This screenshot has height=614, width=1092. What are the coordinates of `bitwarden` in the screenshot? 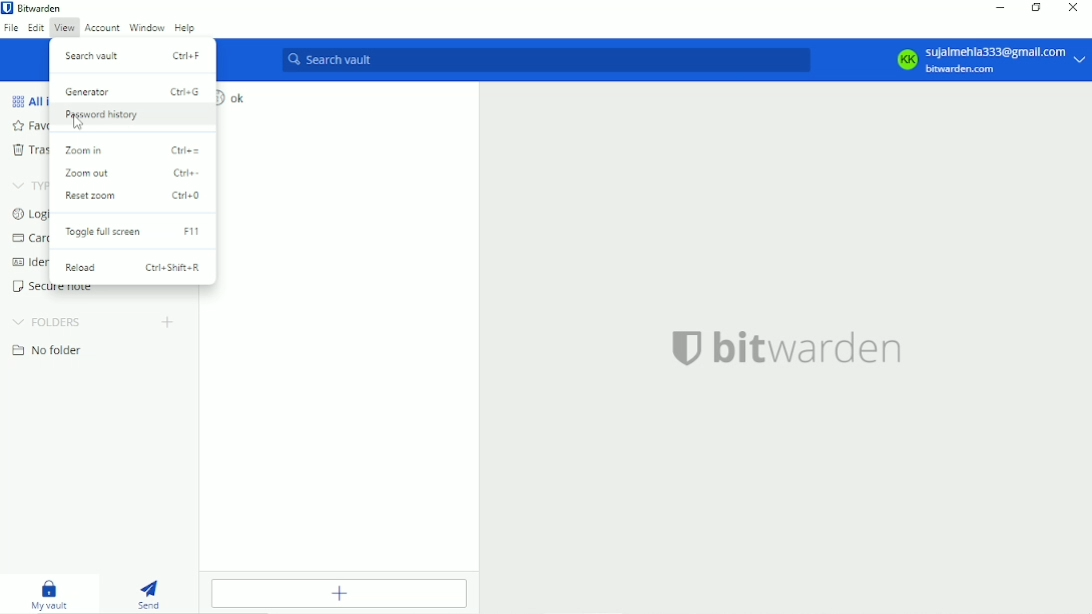 It's located at (788, 347).